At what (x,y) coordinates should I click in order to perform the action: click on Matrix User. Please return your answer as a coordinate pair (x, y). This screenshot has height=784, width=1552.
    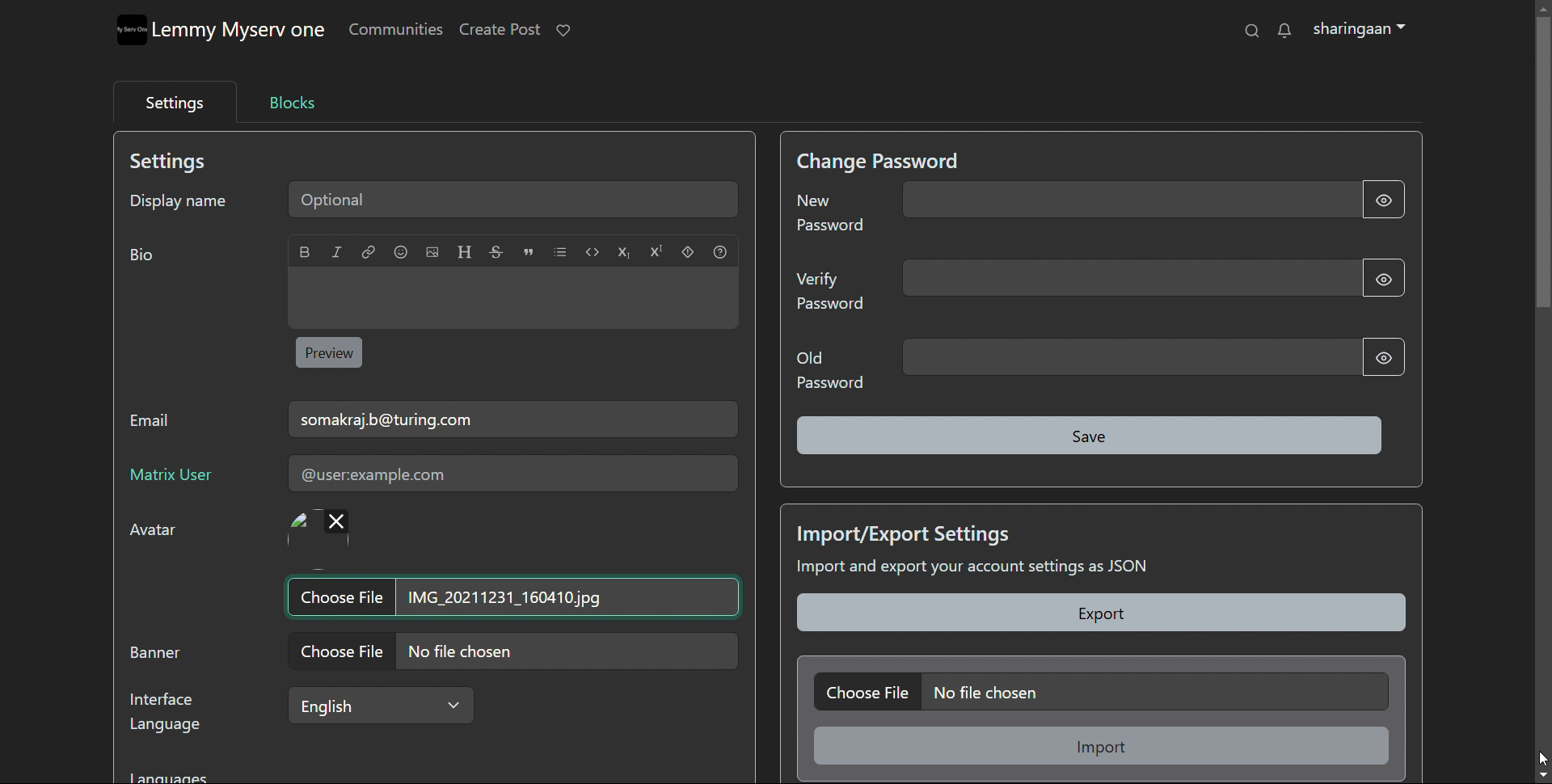
    Looking at the image, I should click on (176, 478).